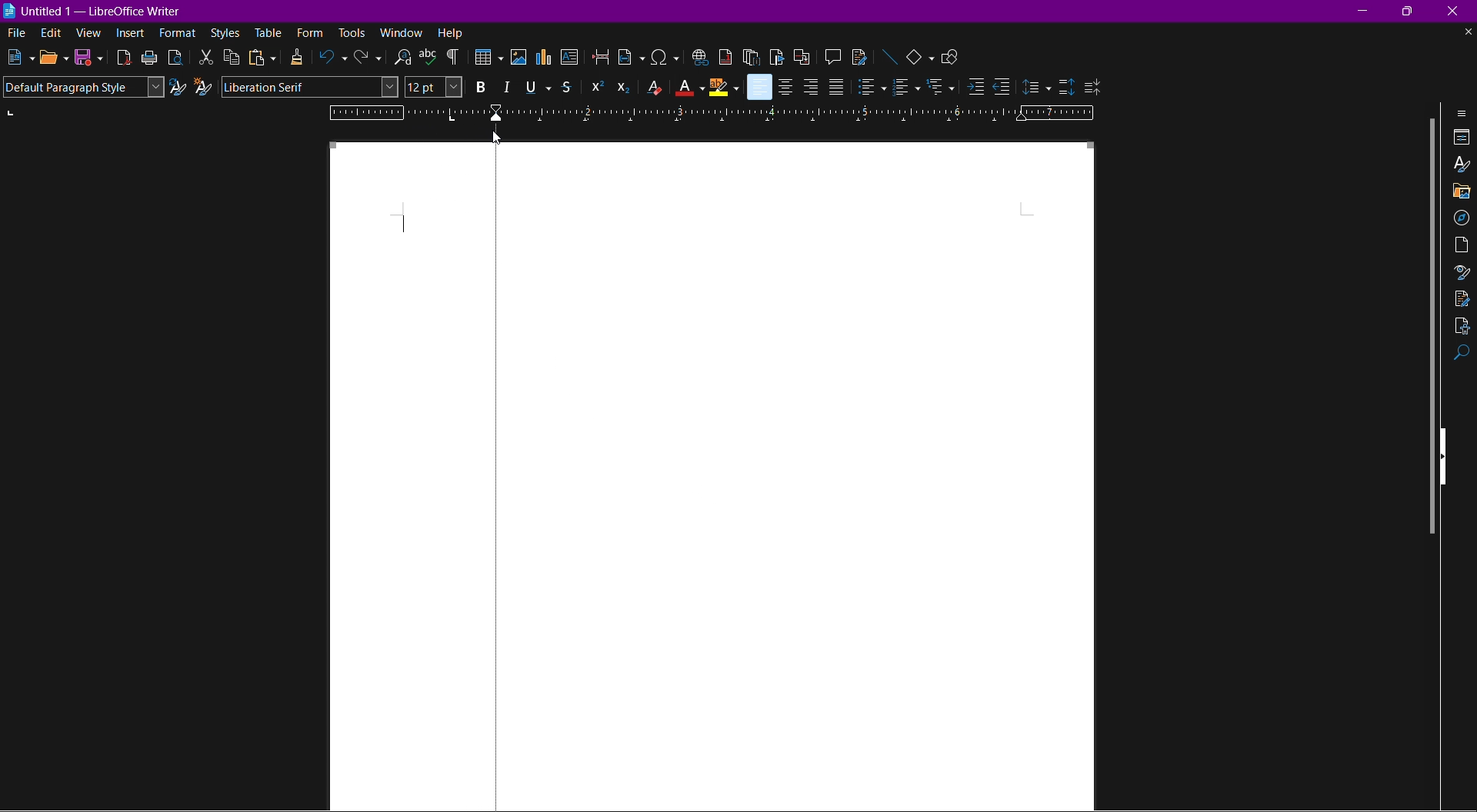 The image size is (1477, 812). What do you see at coordinates (1092, 85) in the screenshot?
I see `Decrease Spacing` at bounding box center [1092, 85].